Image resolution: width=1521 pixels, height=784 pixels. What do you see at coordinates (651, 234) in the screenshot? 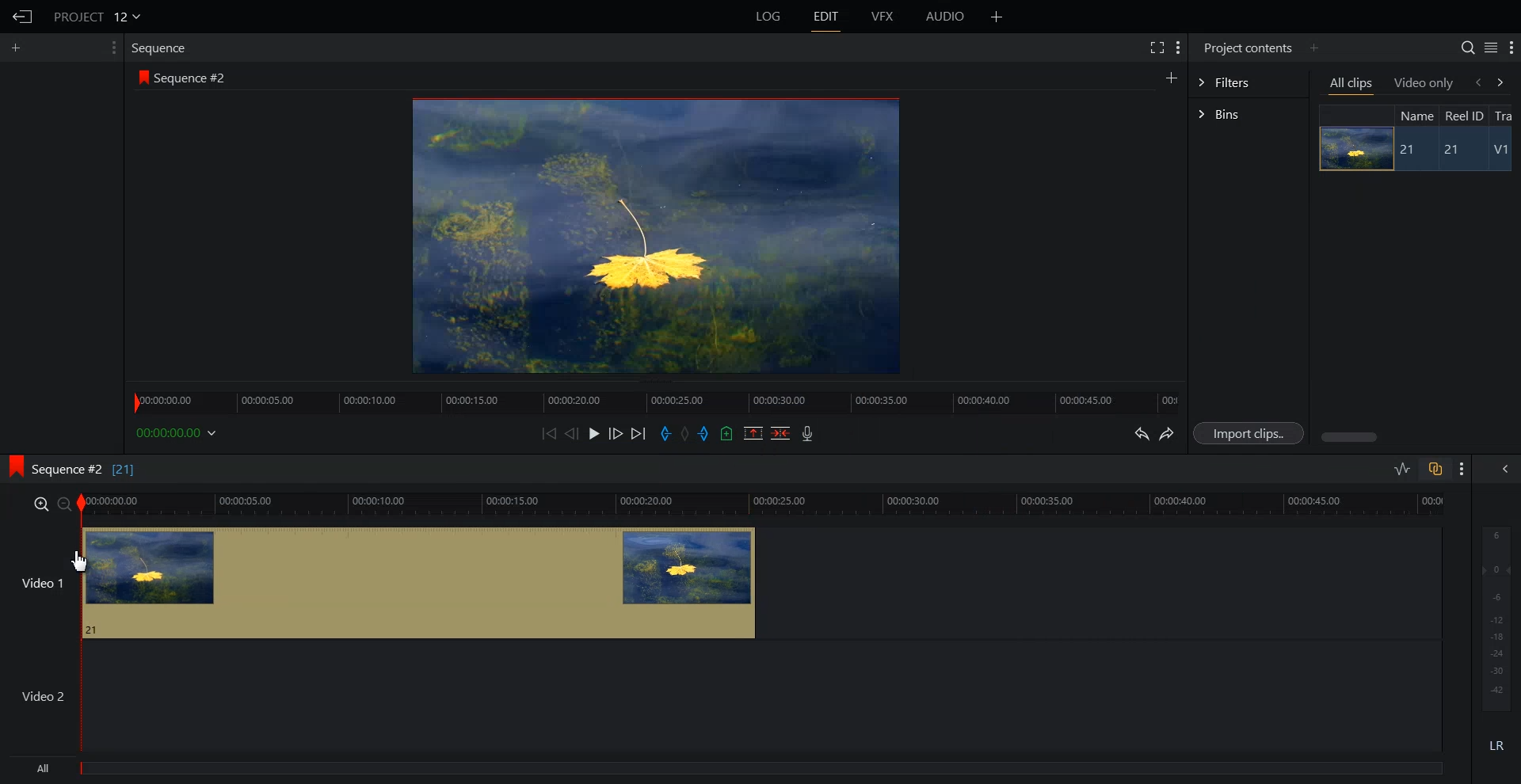
I see `Window preview` at bounding box center [651, 234].